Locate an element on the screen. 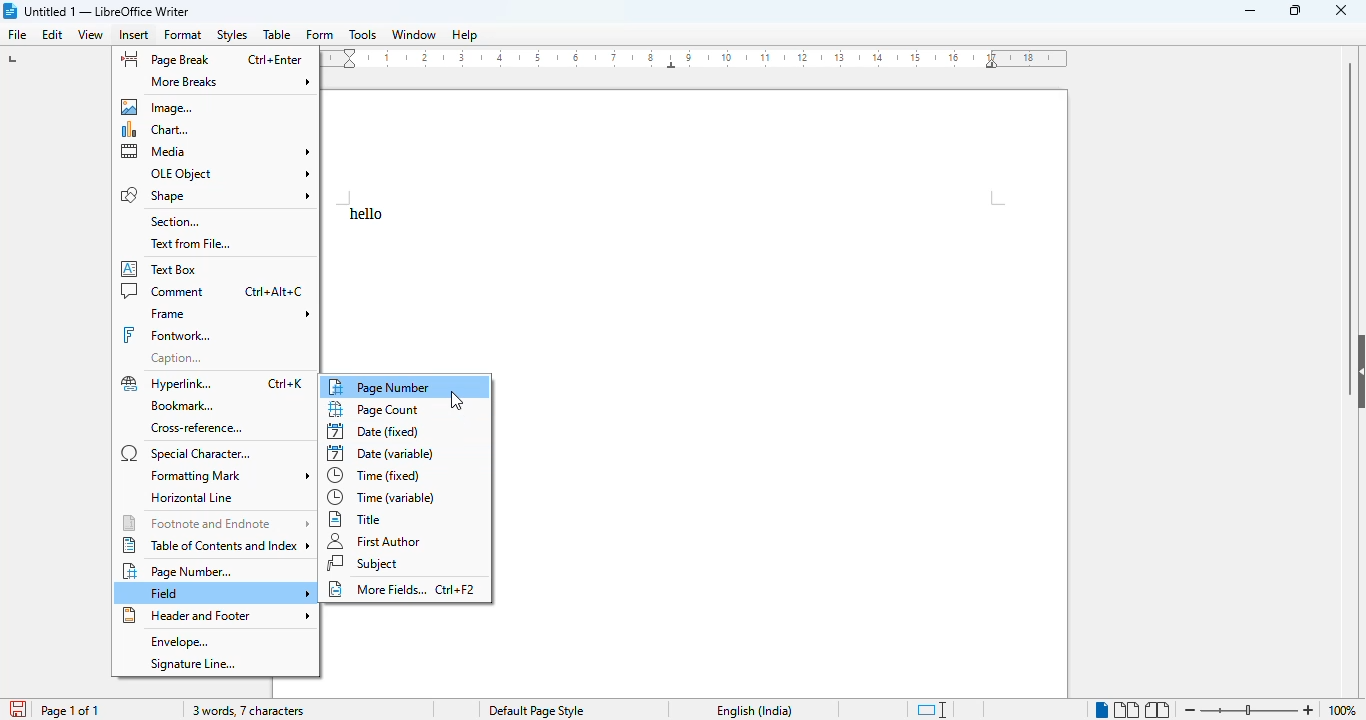 Image resolution: width=1366 pixels, height=720 pixels. media is located at coordinates (216, 151).